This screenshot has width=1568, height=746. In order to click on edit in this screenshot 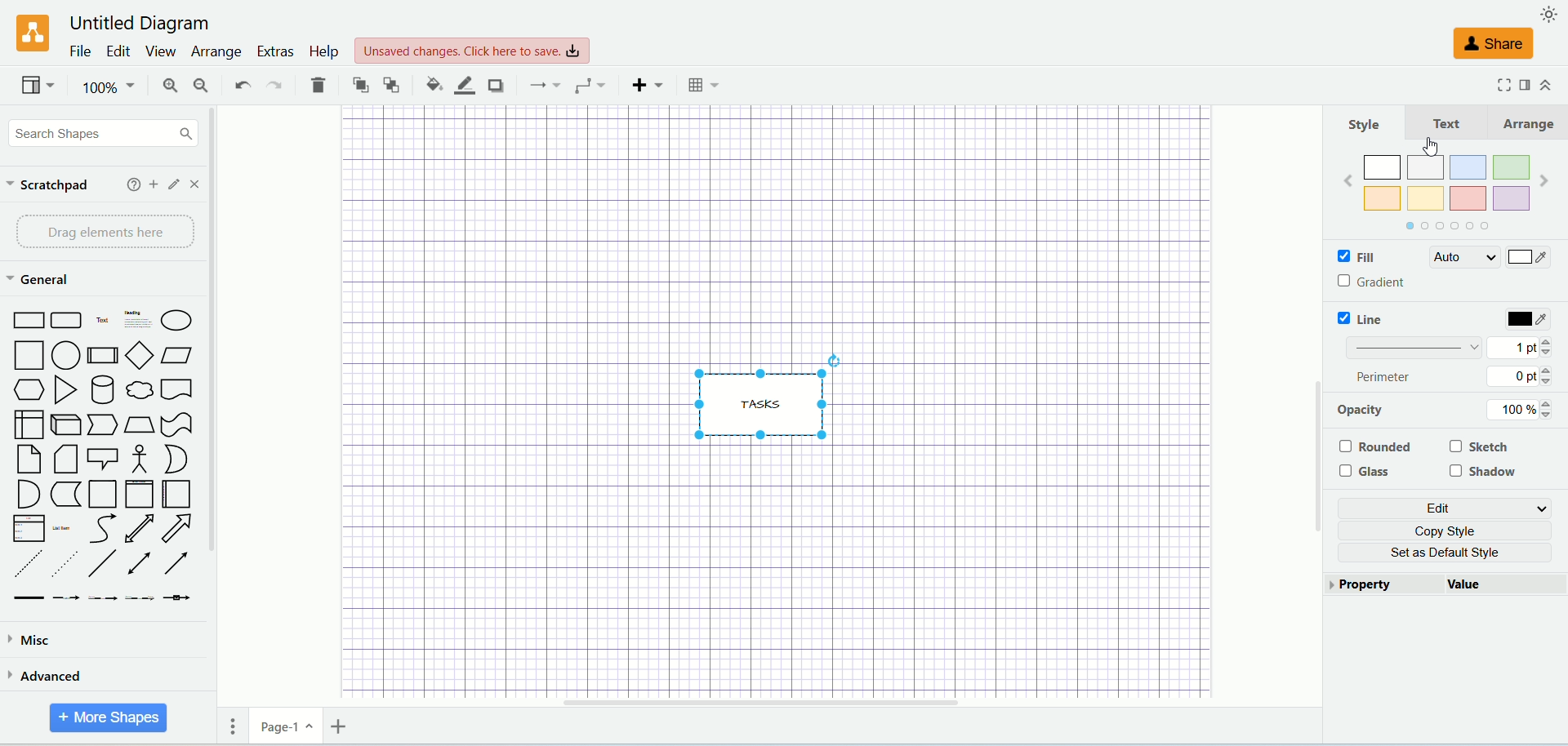, I will do `click(1443, 507)`.